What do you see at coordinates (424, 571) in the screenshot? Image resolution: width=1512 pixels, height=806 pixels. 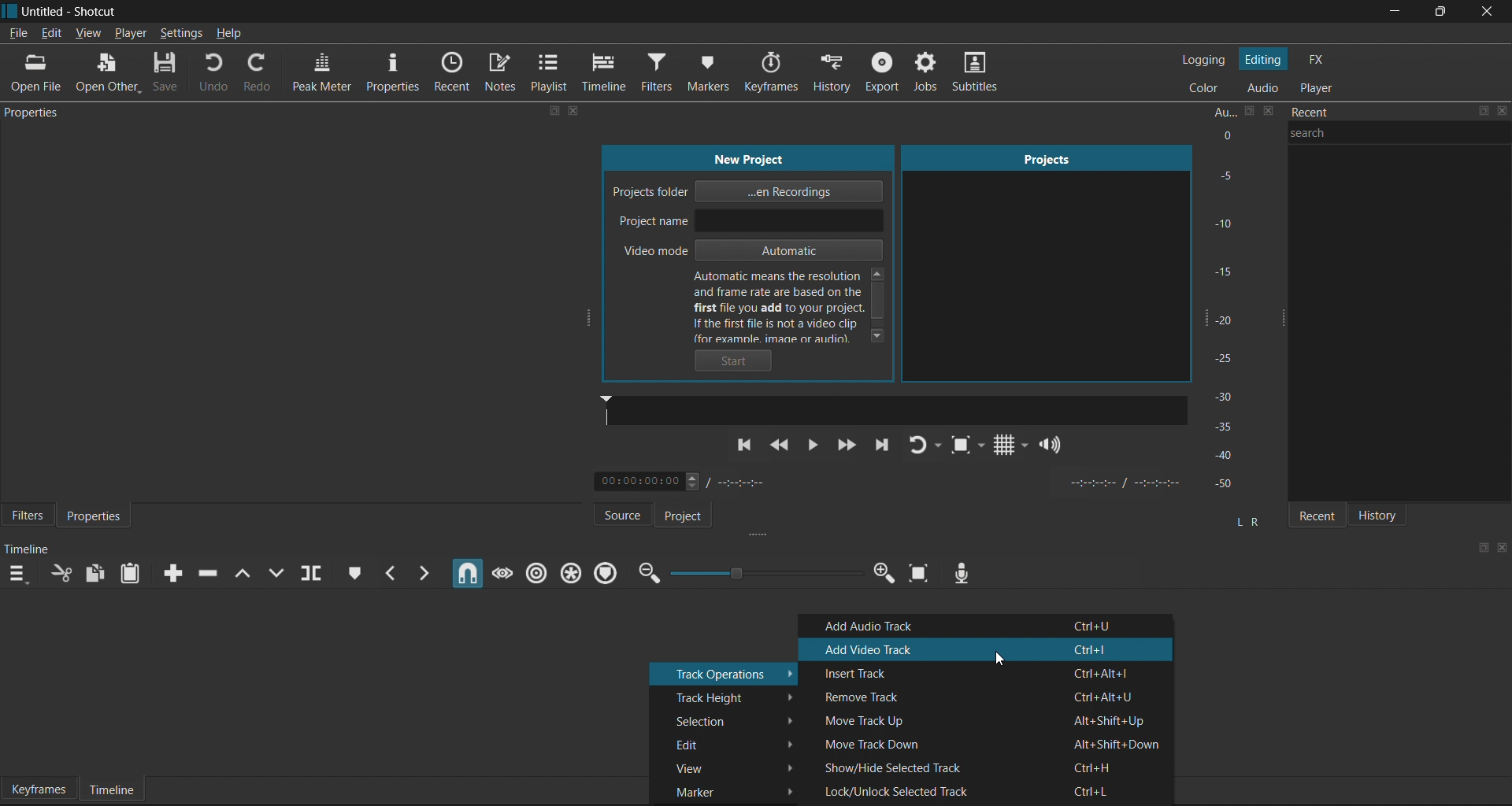 I see `Next marker` at bounding box center [424, 571].